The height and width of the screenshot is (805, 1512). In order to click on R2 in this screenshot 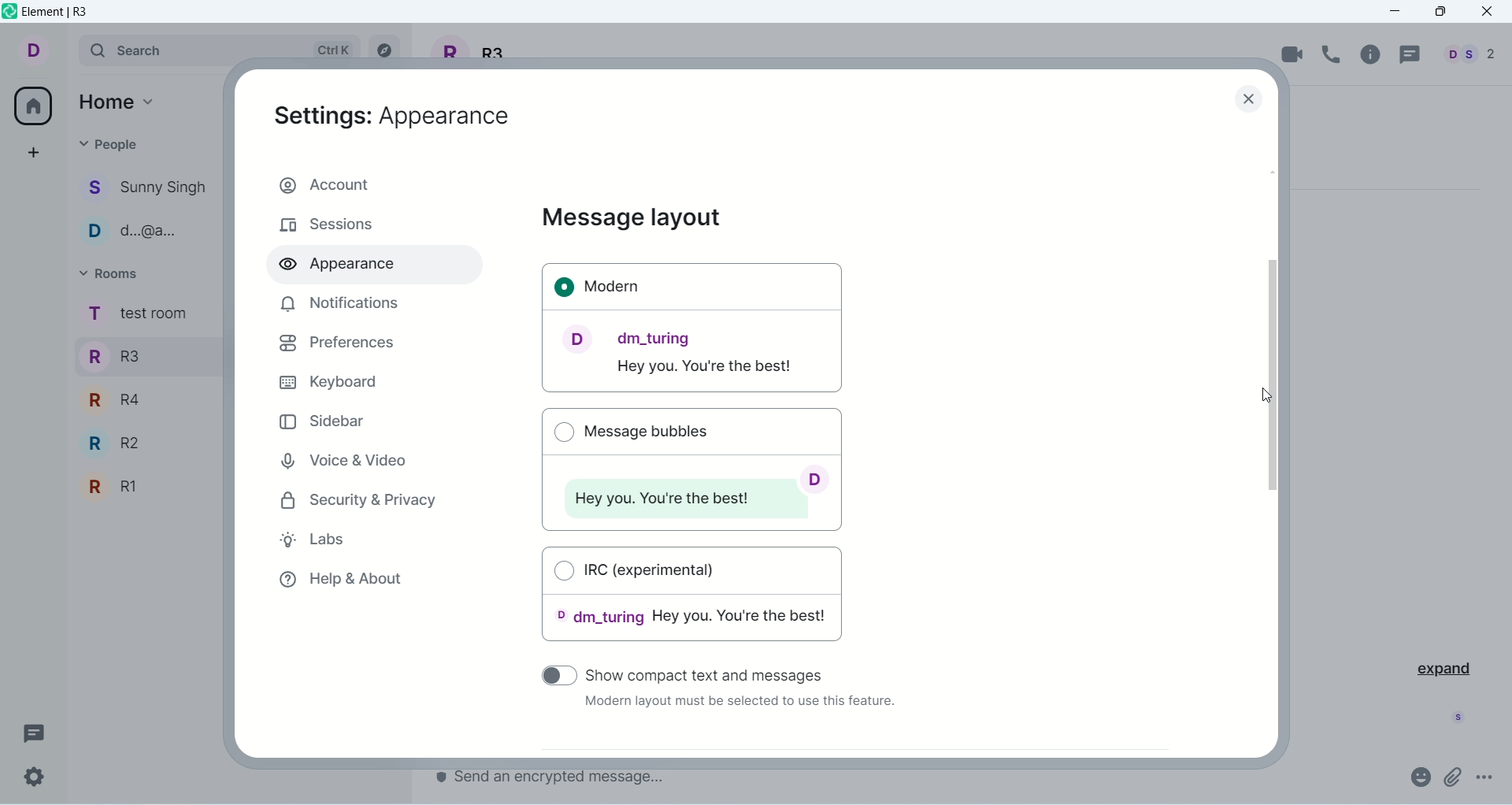, I will do `click(150, 443)`.